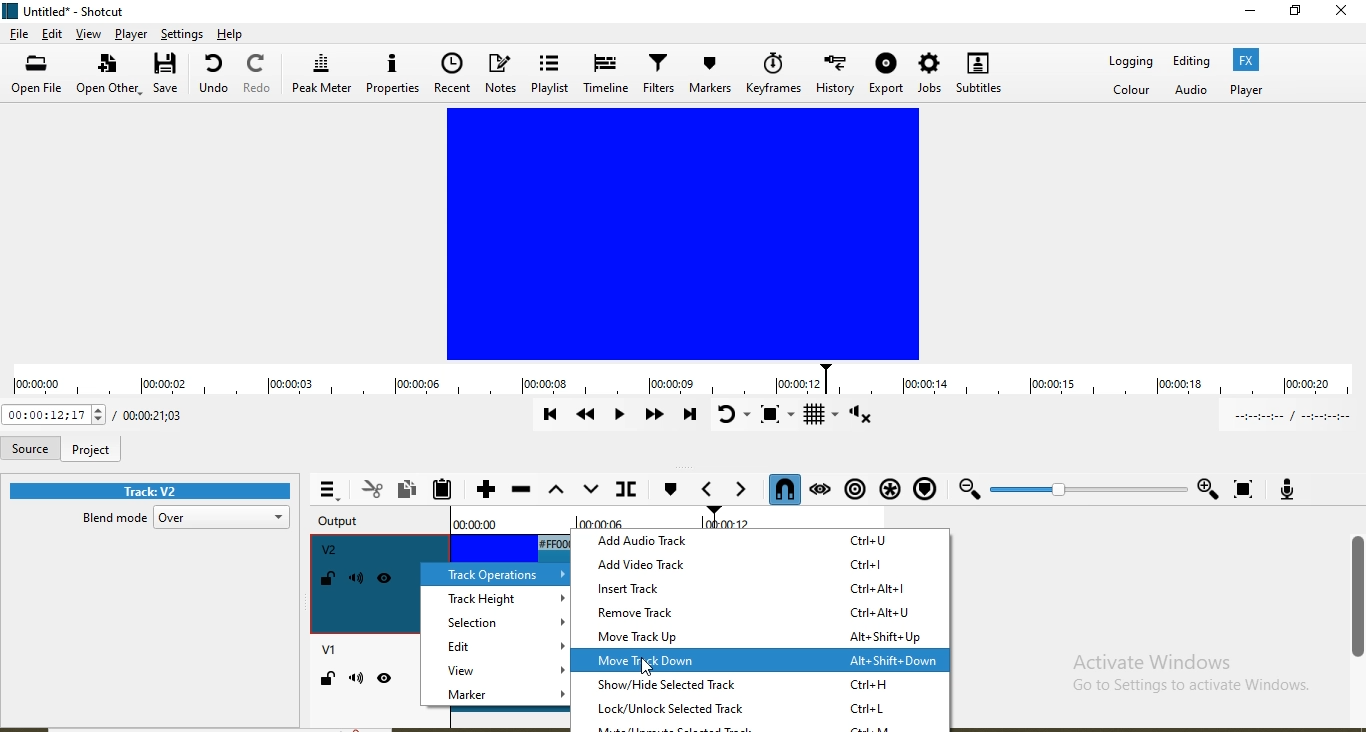 This screenshot has width=1366, height=732. Describe the element at coordinates (1244, 487) in the screenshot. I see `Zoom timeline to fit` at that location.